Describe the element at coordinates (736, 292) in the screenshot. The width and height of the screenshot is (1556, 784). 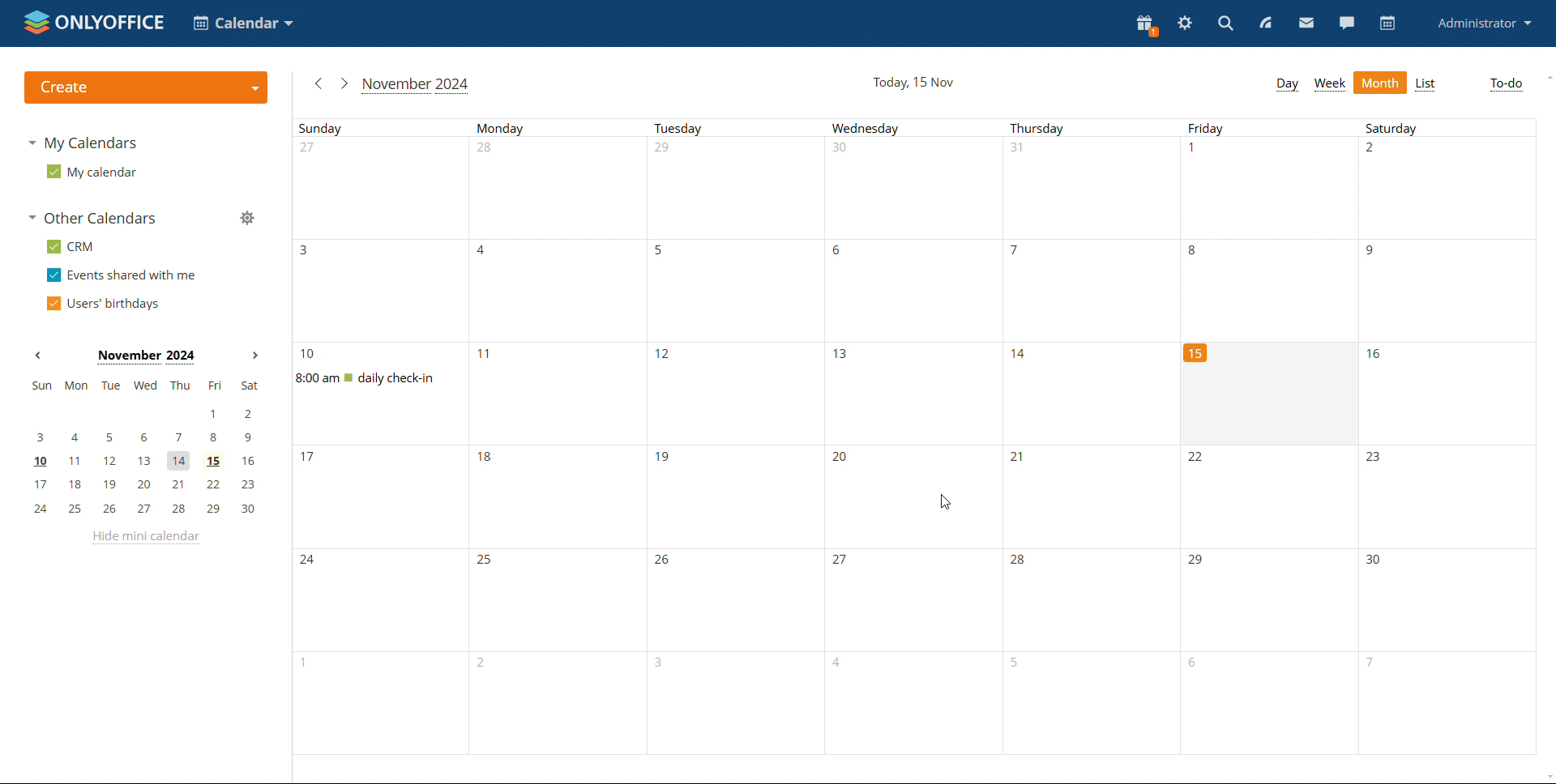
I see `cell for individual day` at that location.